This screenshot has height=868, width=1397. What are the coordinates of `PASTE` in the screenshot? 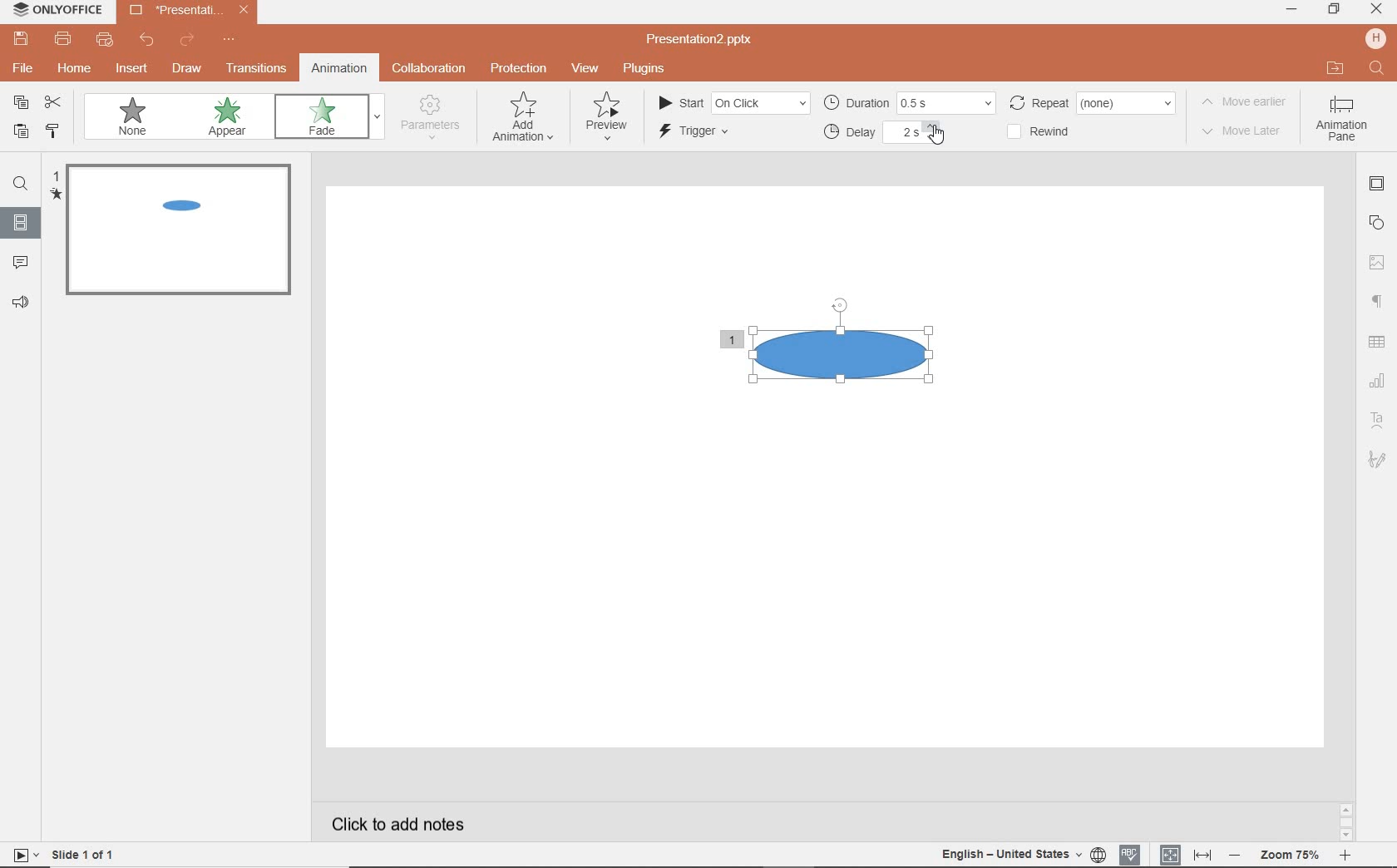 It's located at (20, 132).